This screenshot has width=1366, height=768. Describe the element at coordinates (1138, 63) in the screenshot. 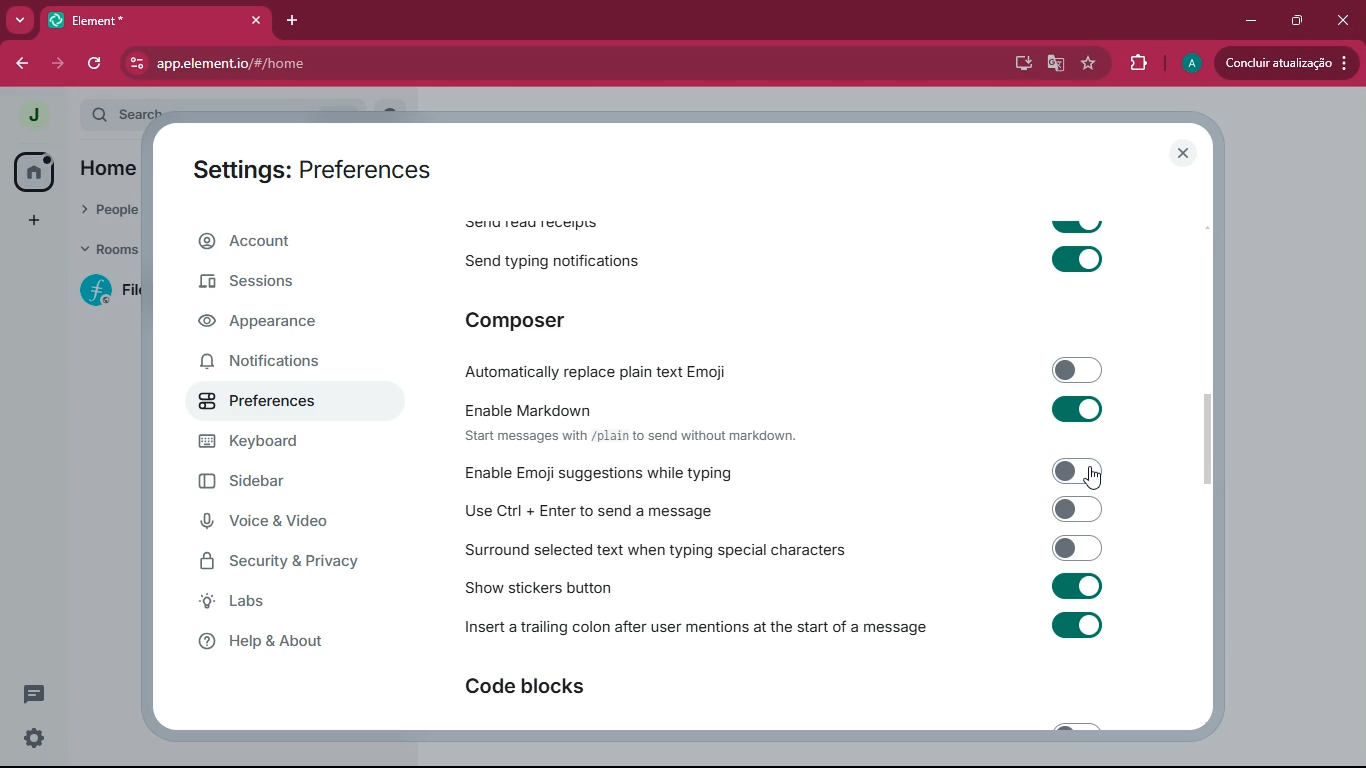

I see `extensions` at that location.